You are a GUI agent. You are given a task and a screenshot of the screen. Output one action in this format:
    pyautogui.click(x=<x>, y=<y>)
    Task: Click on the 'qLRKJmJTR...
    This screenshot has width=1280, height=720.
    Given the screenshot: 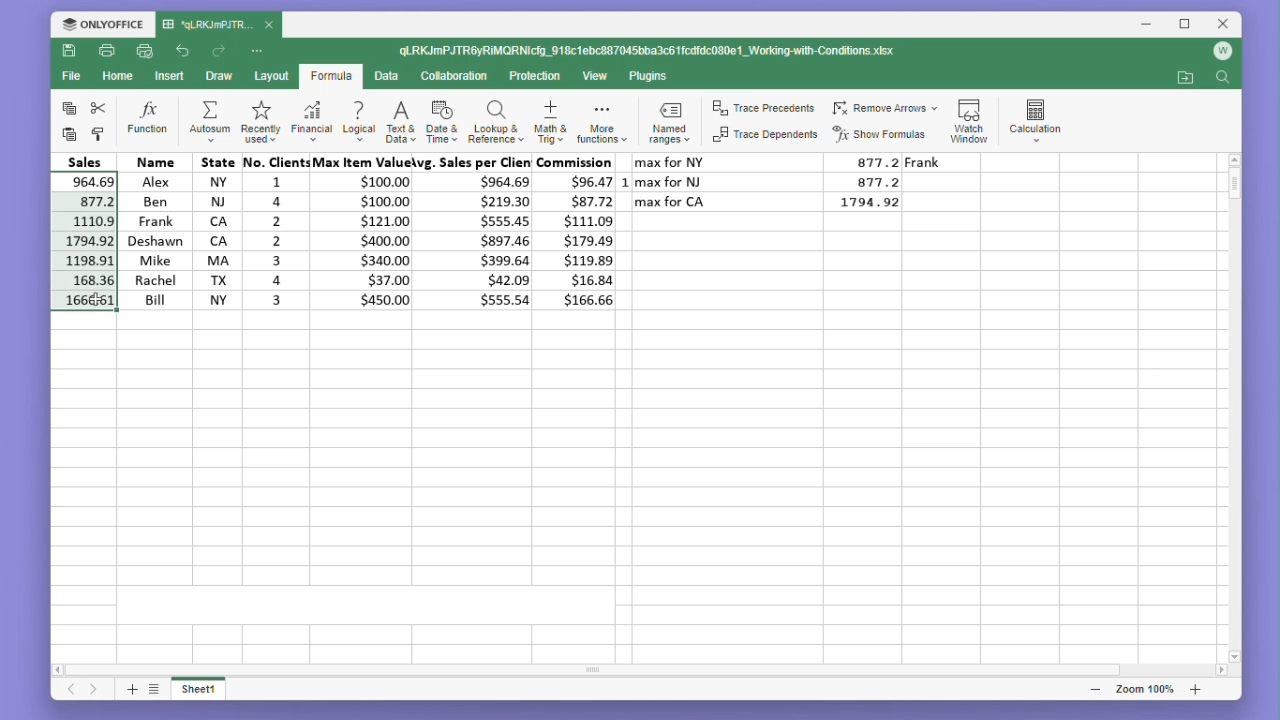 What is the action you would take?
    pyautogui.click(x=206, y=25)
    